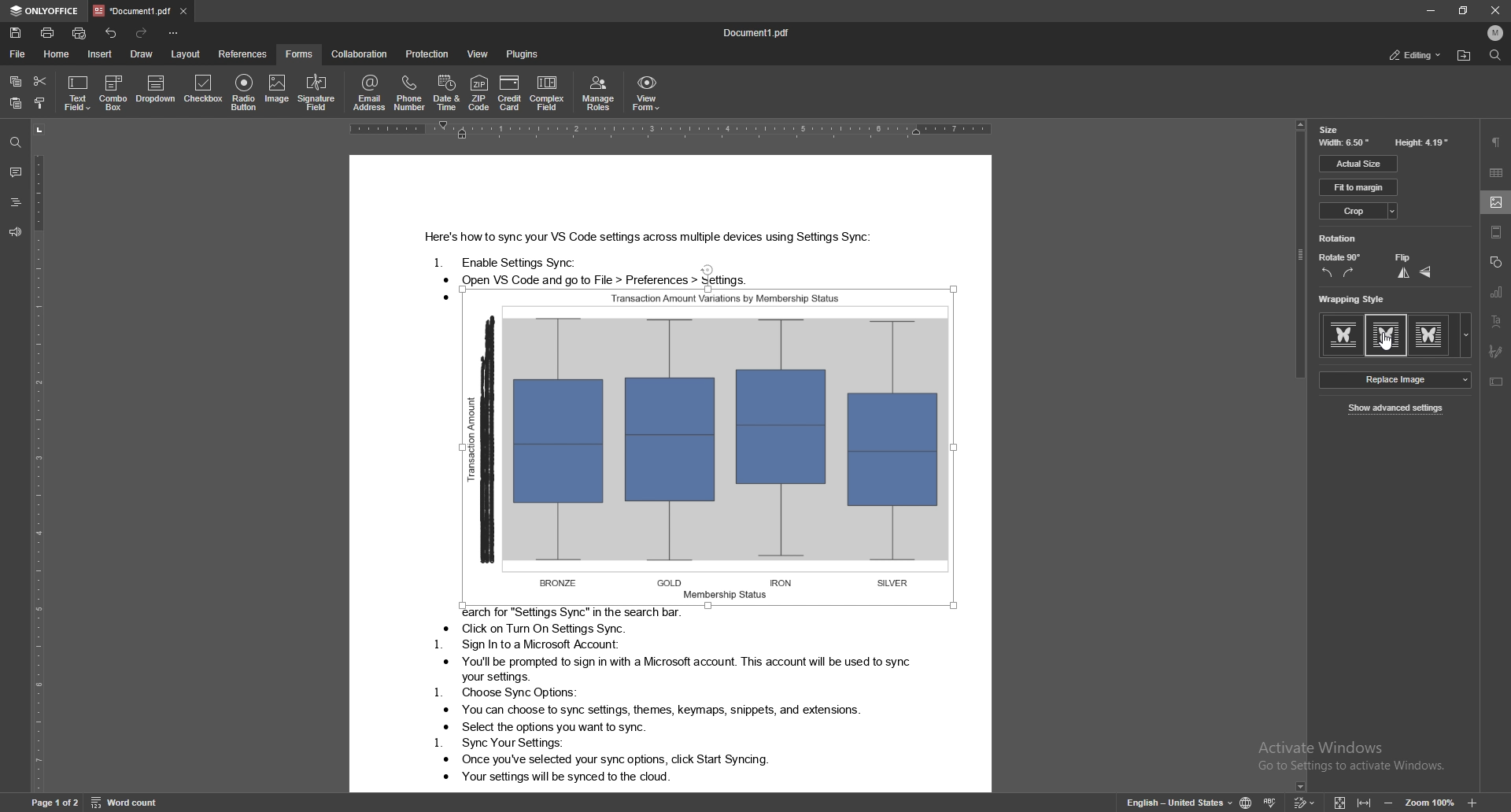 The width and height of the screenshot is (1511, 812). What do you see at coordinates (1430, 802) in the screenshot?
I see `zoom` at bounding box center [1430, 802].